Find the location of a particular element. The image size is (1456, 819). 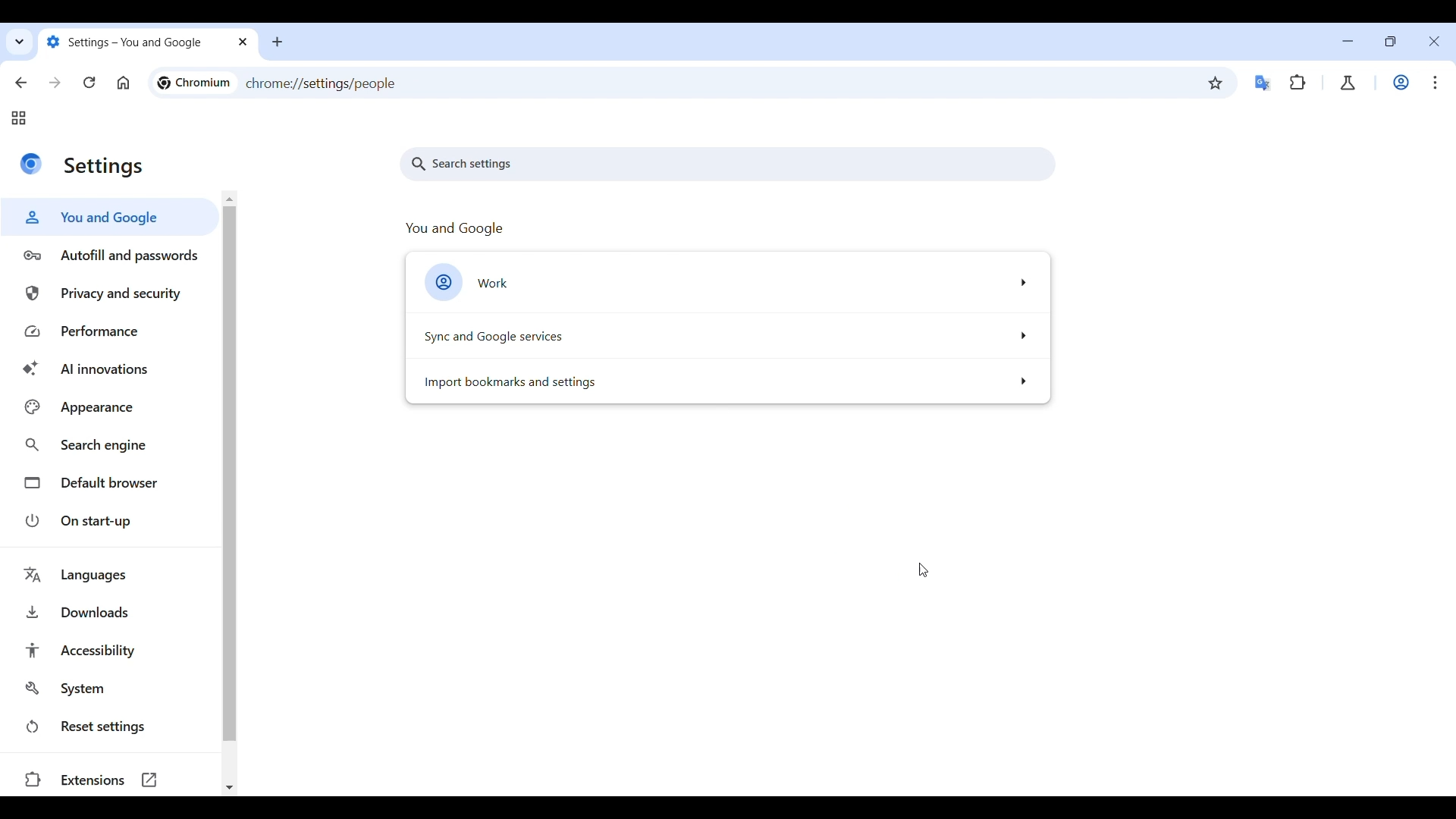

Quick slide to top is located at coordinates (229, 199).